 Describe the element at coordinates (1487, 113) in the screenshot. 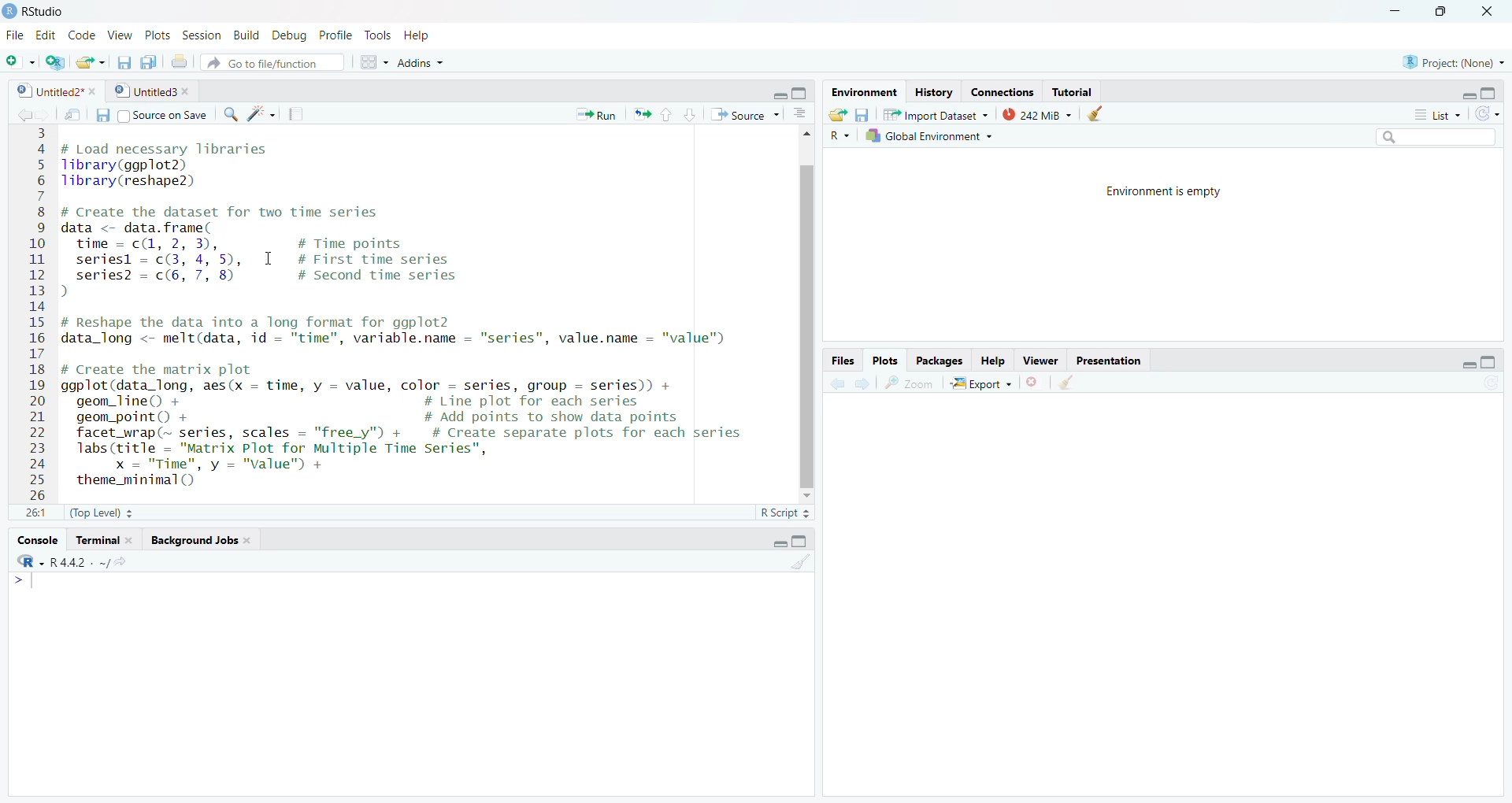

I see `Refresh Theme` at that location.